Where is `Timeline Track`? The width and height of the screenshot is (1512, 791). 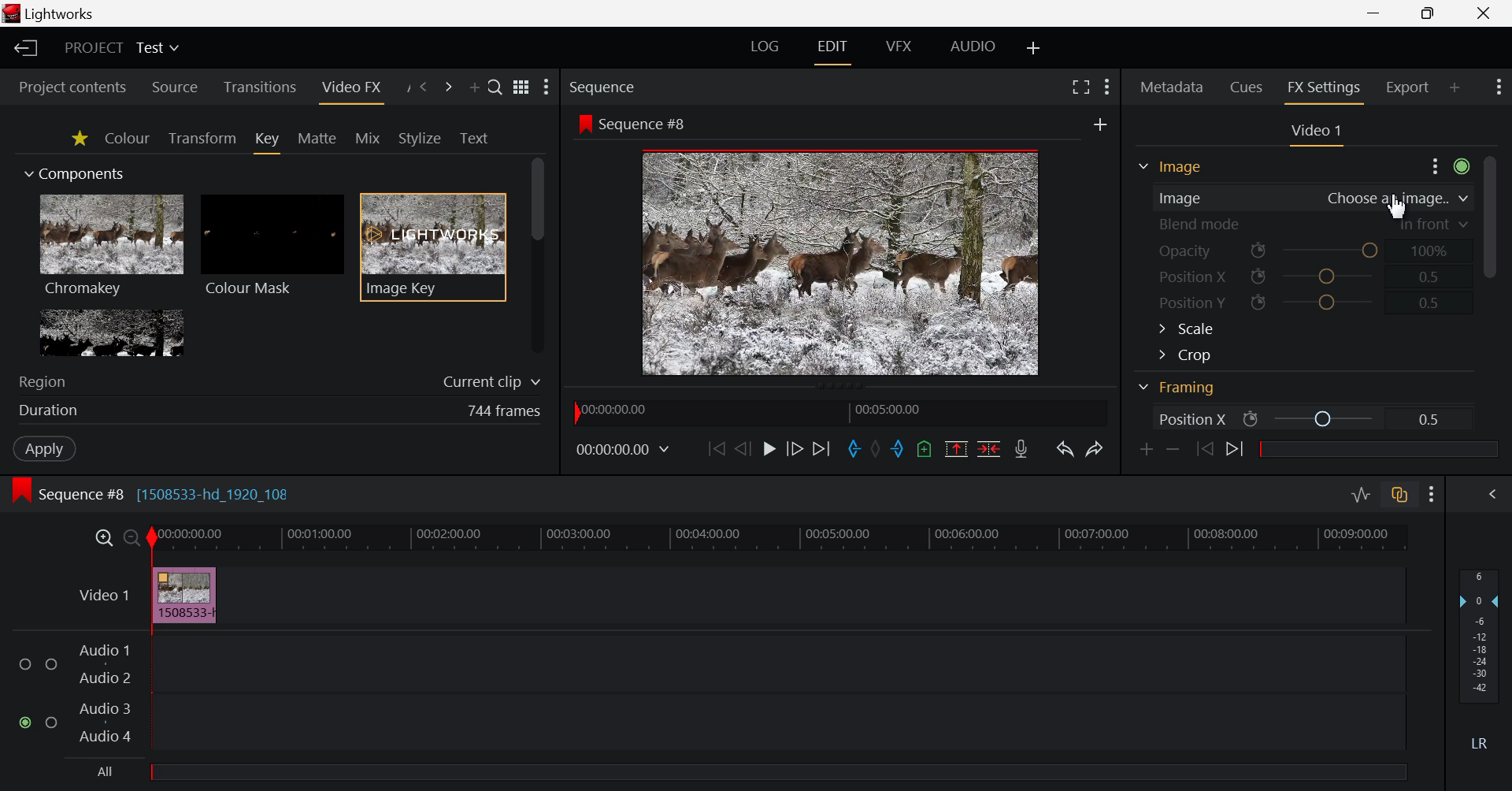
Timeline Track is located at coordinates (776, 537).